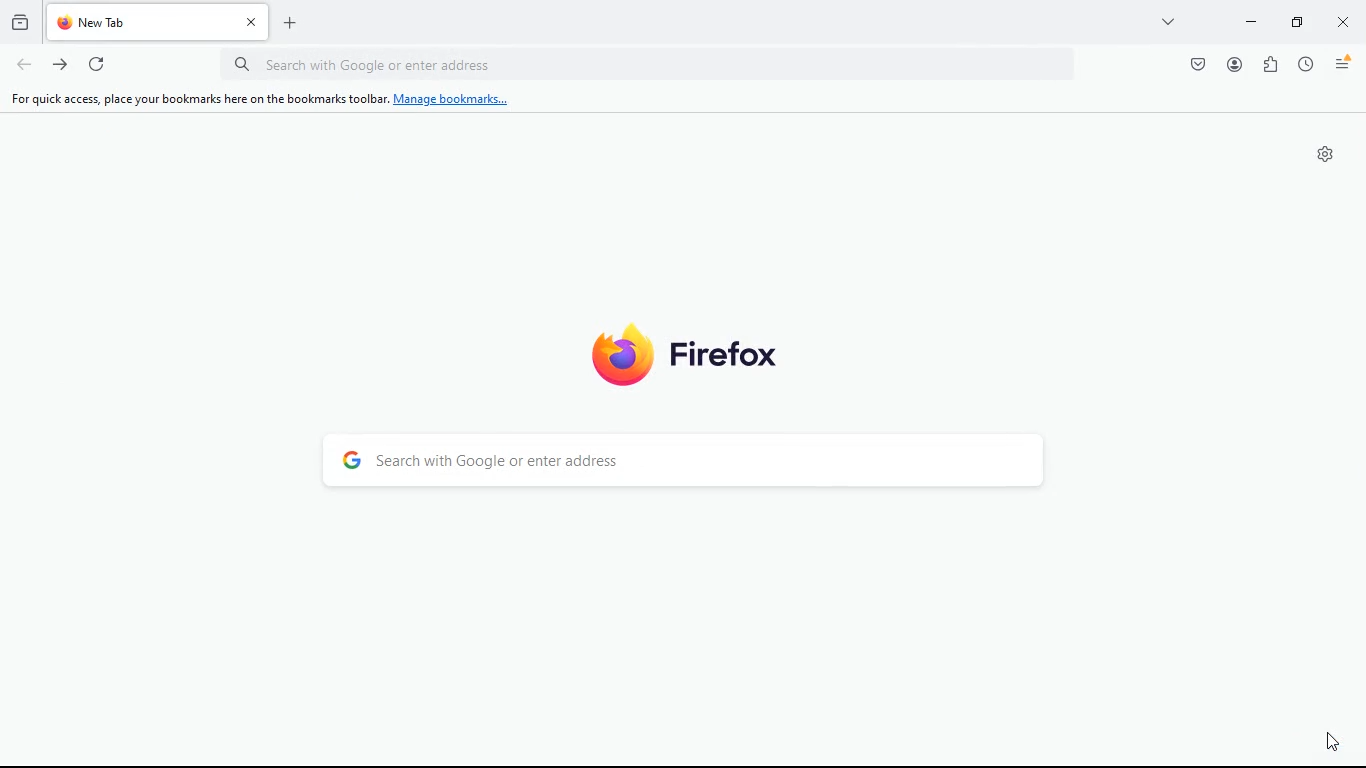 The width and height of the screenshot is (1366, 768). What do you see at coordinates (698, 464) in the screenshot?
I see `search` at bounding box center [698, 464].